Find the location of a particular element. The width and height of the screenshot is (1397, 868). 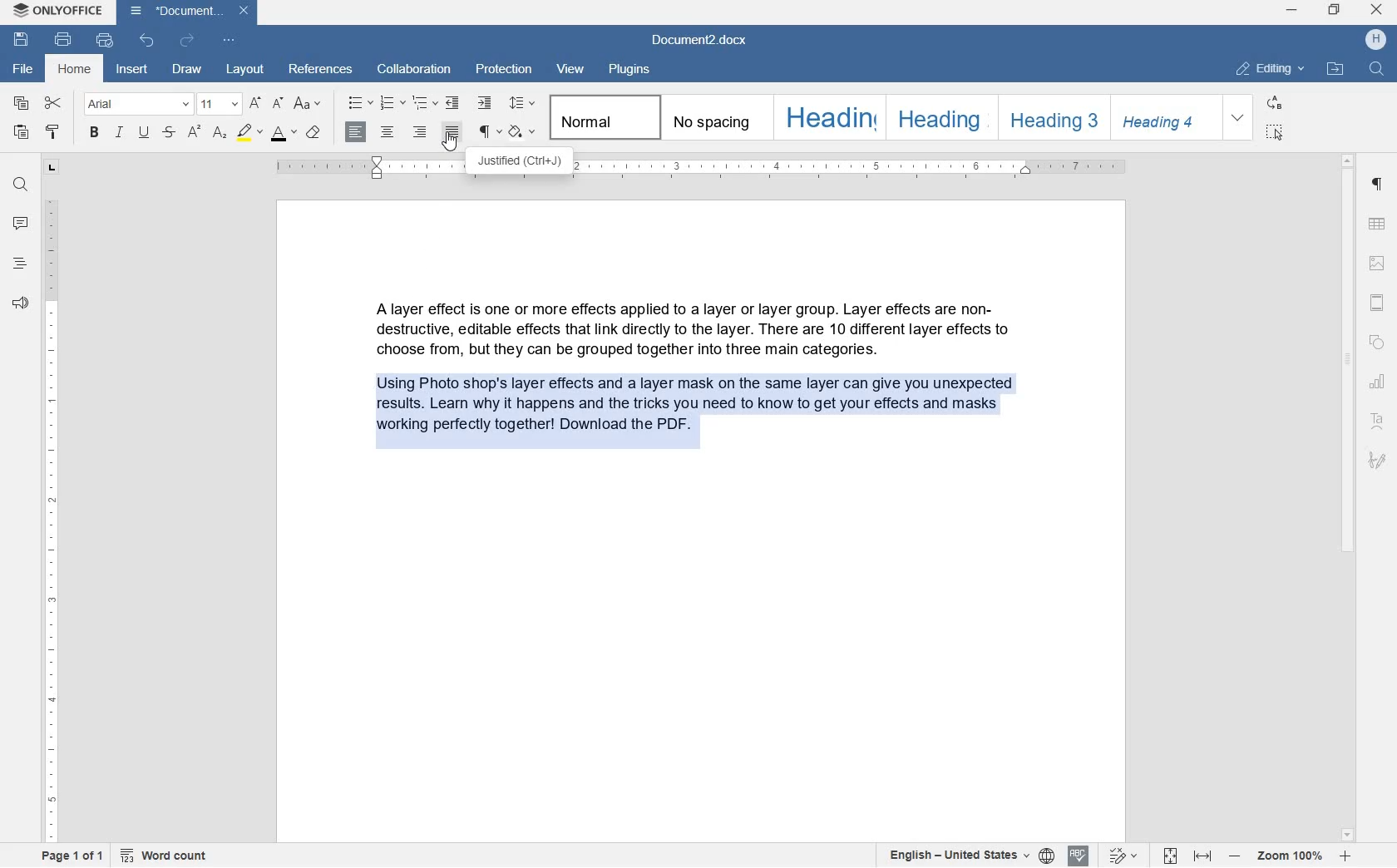

SUPERSCRIPT is located at coordinates (194, 133).